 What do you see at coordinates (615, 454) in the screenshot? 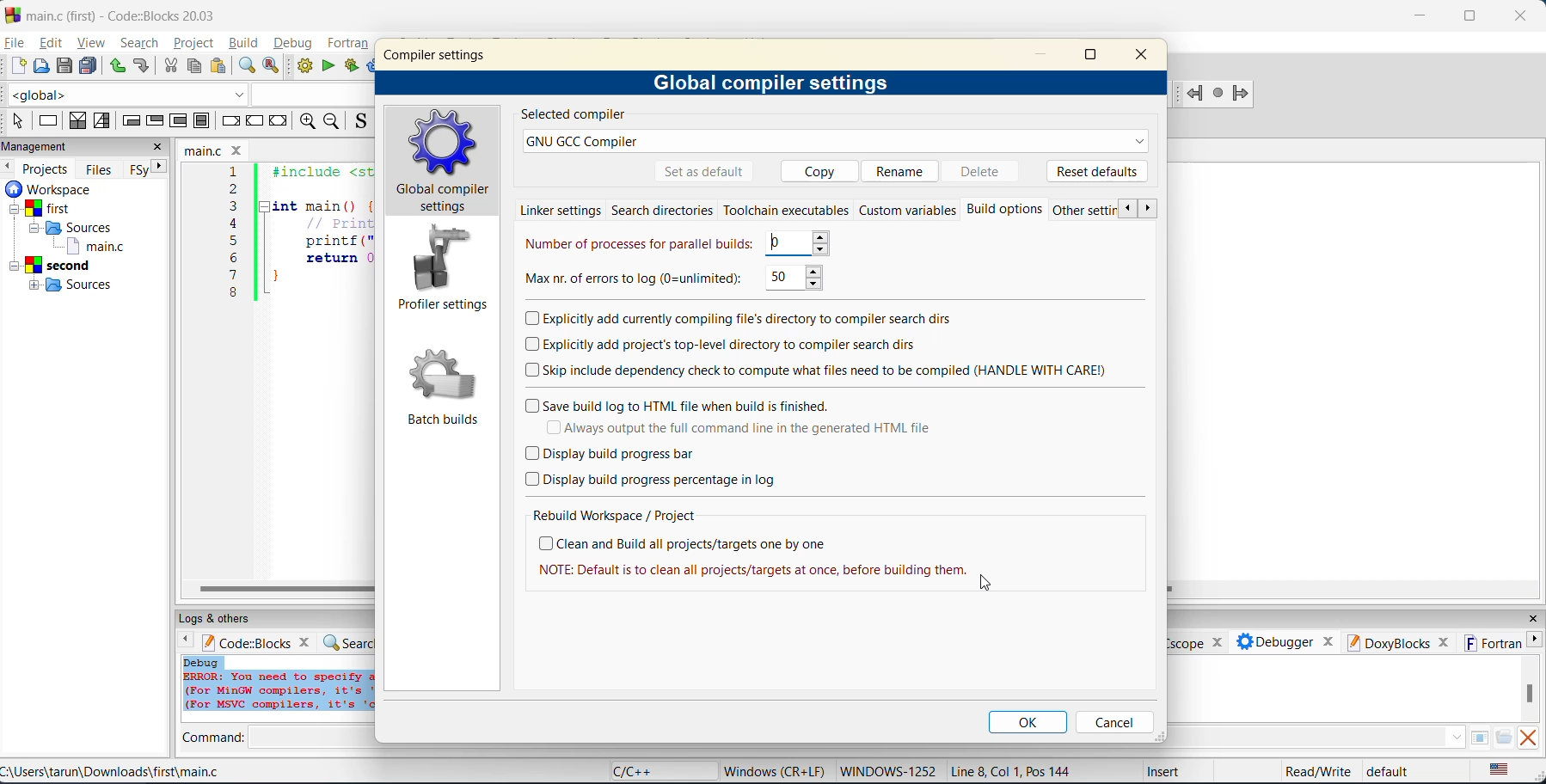
I see `display build progress bar` at bounding box center [615, 454].